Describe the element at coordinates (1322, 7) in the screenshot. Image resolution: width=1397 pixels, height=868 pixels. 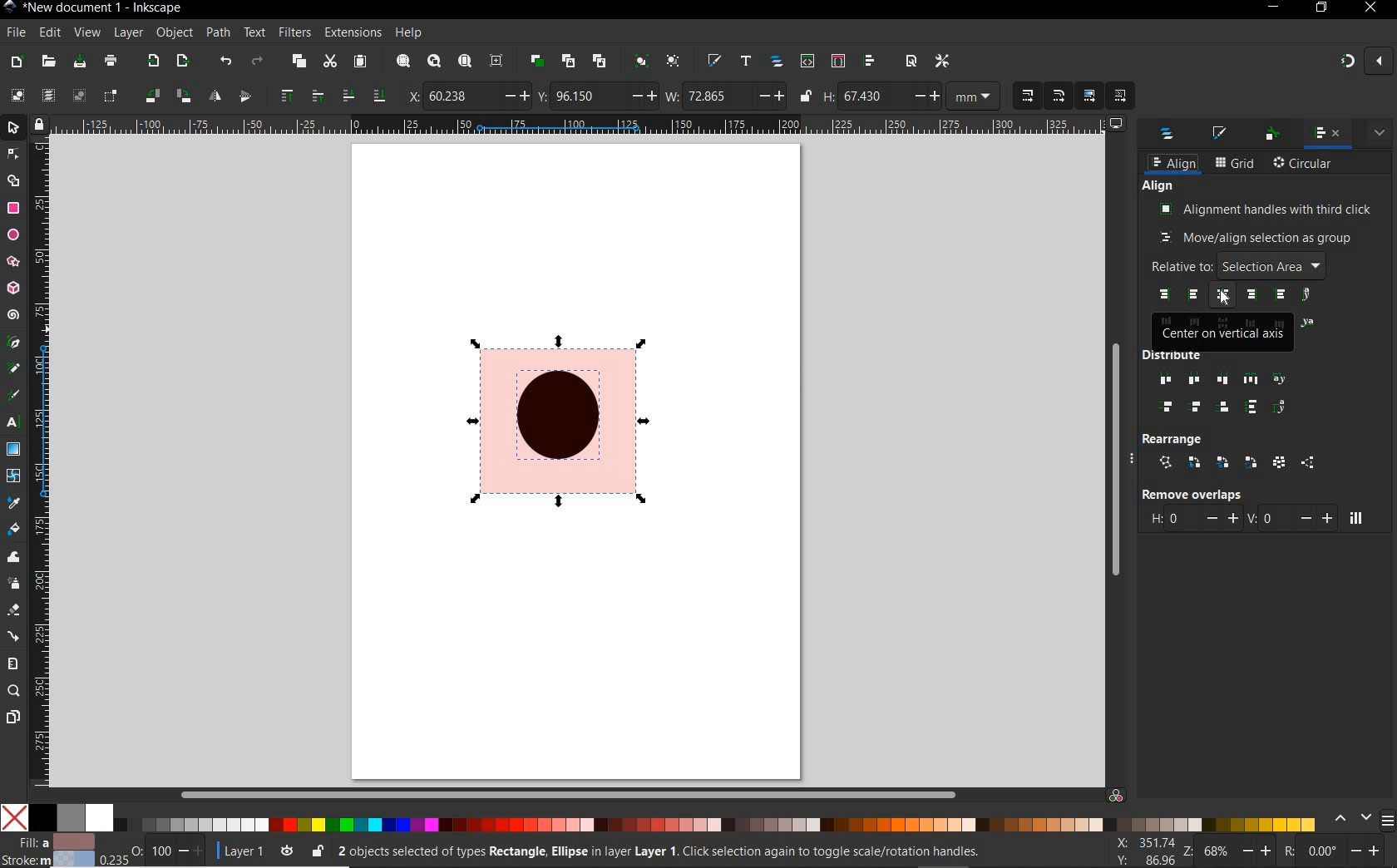
I see `restore` at that location.